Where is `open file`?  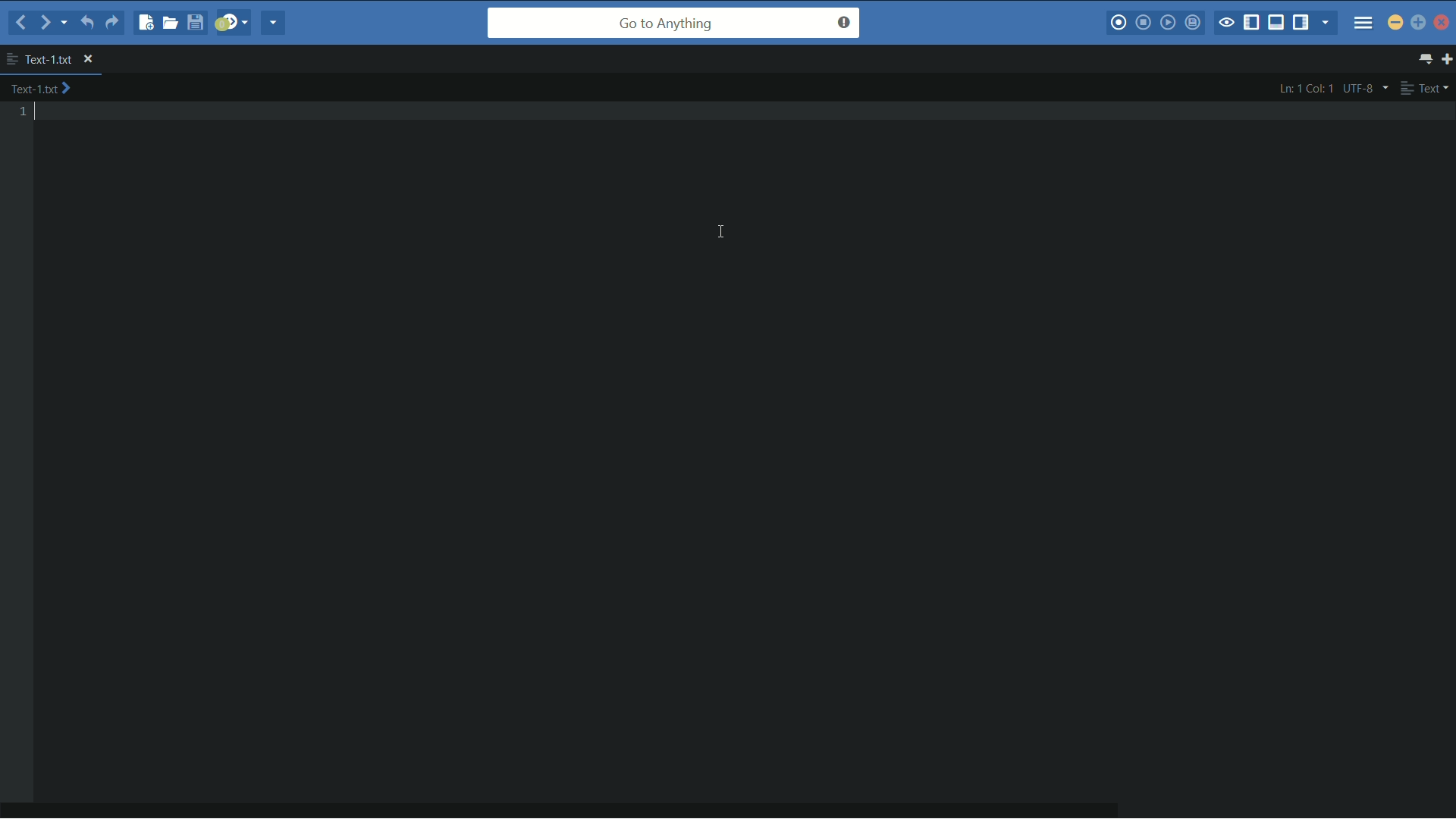 open file is located at coordinates (172, 22).